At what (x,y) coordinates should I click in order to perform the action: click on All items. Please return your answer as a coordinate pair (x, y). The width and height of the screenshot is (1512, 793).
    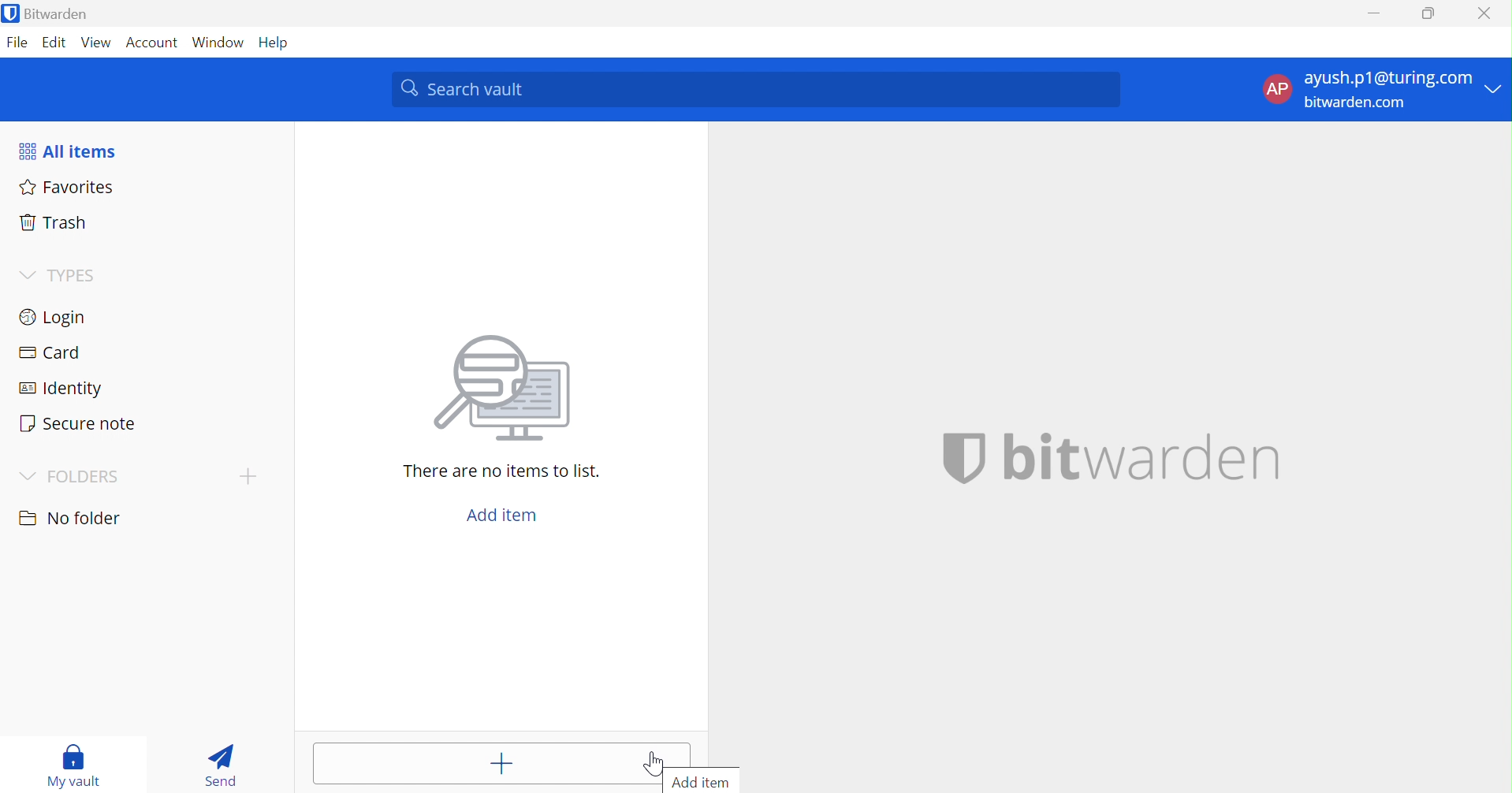
    Looking at the image, I should click on (68, 149).